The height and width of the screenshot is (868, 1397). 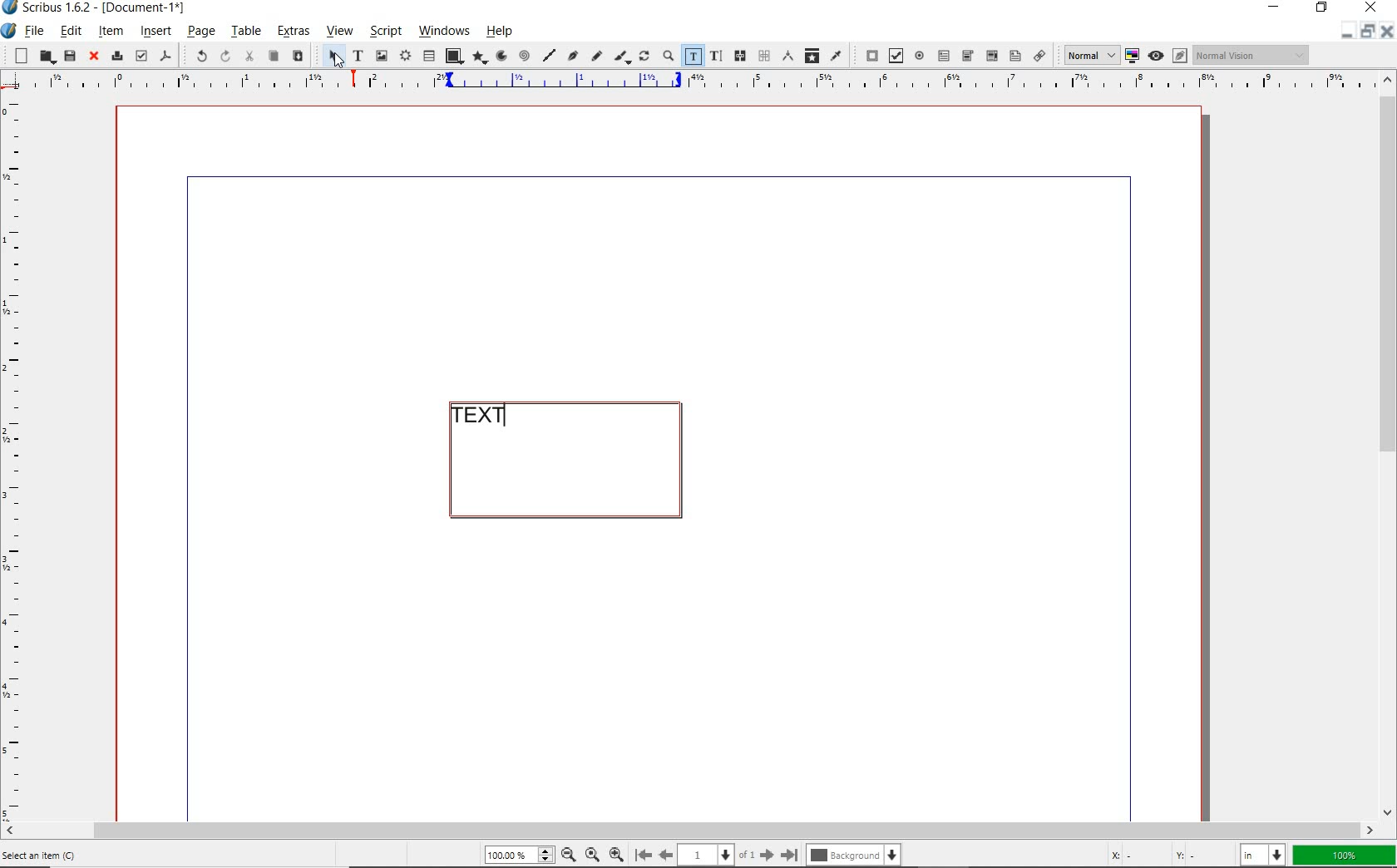 I want to click on polygon, so click(x=481, y=58).